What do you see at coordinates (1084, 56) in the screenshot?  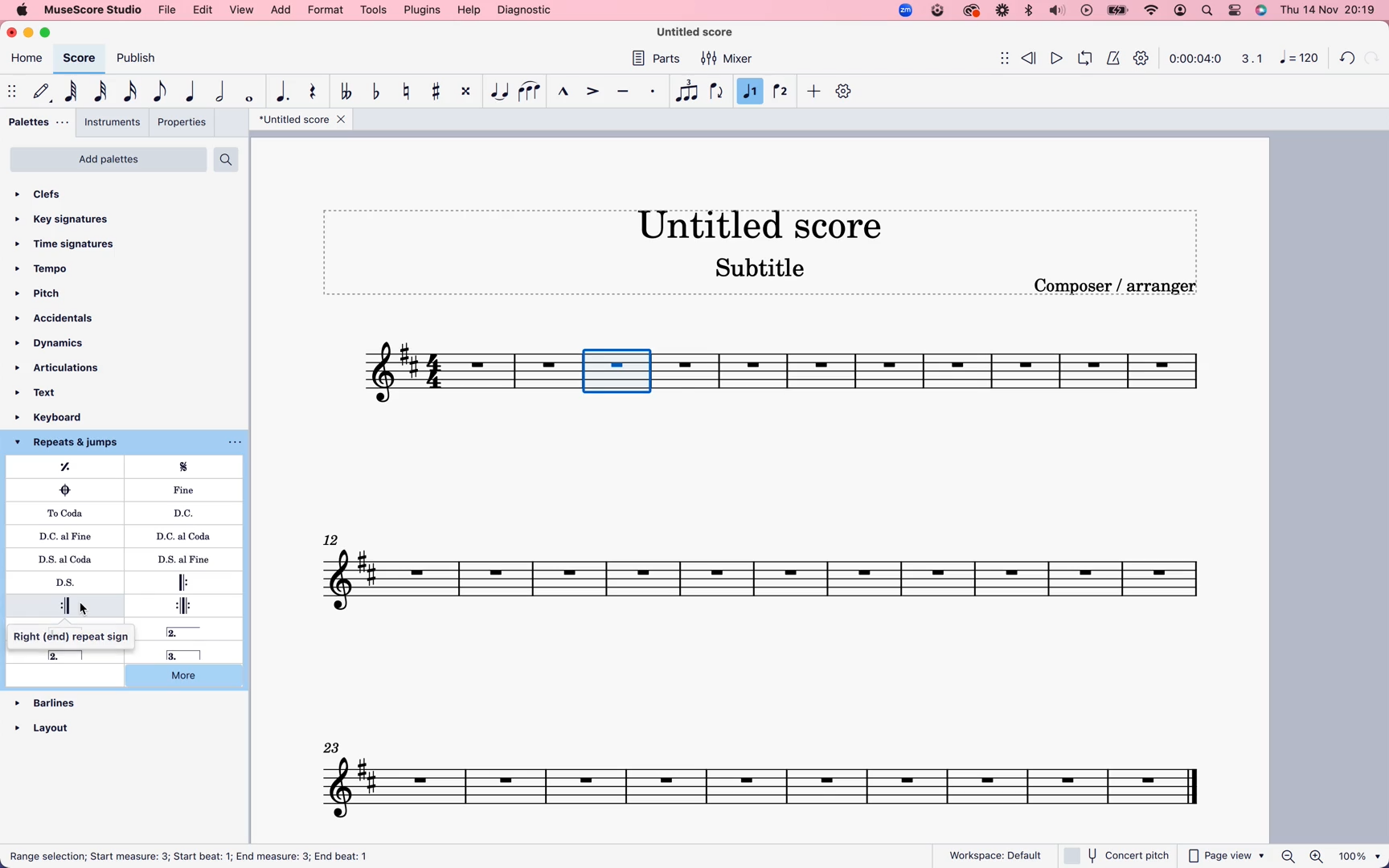 I see `loop playback` at bounding box center [1084, 56].